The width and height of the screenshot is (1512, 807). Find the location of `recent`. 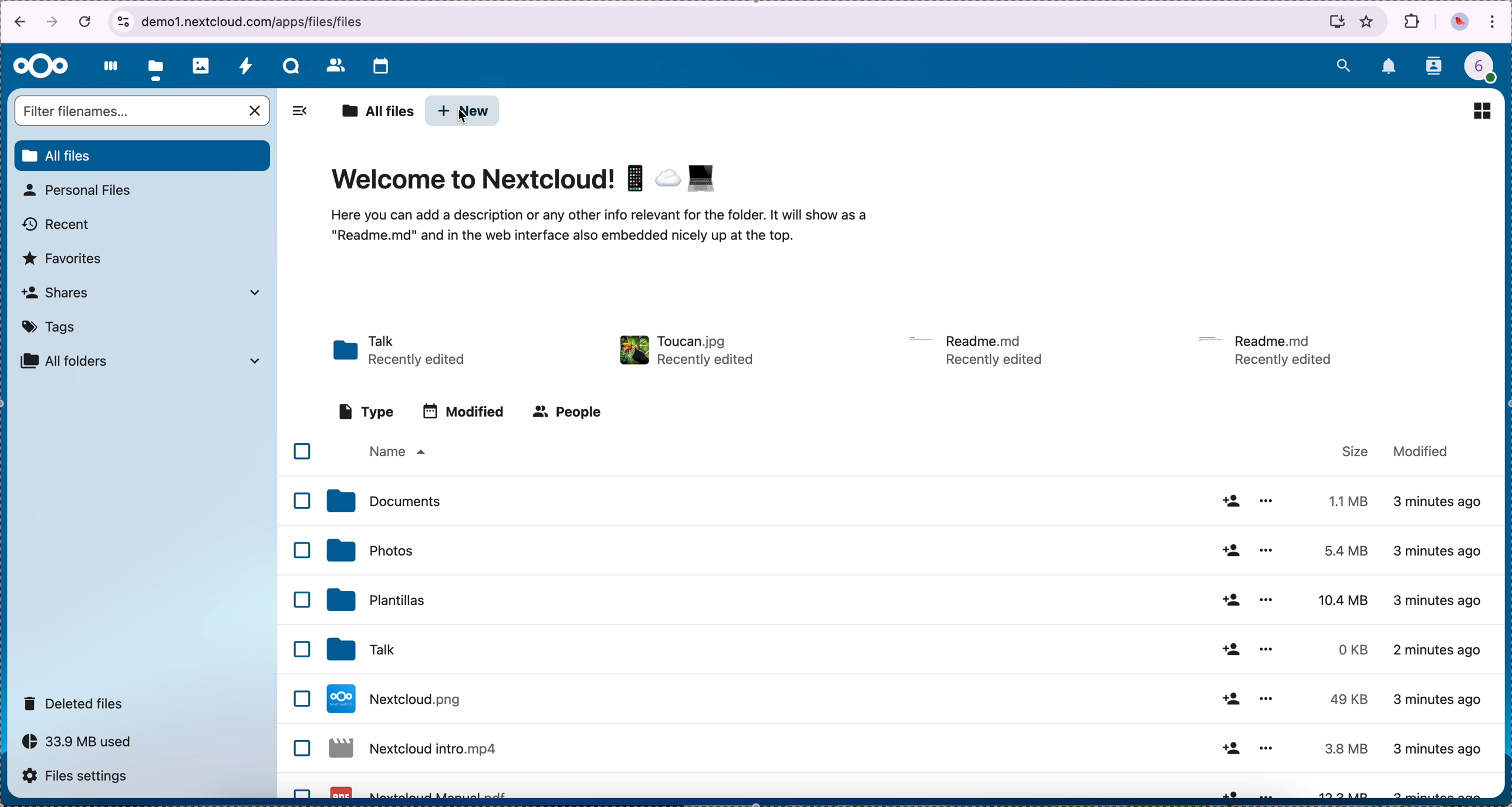

recent is located at coordinates (58, 225).